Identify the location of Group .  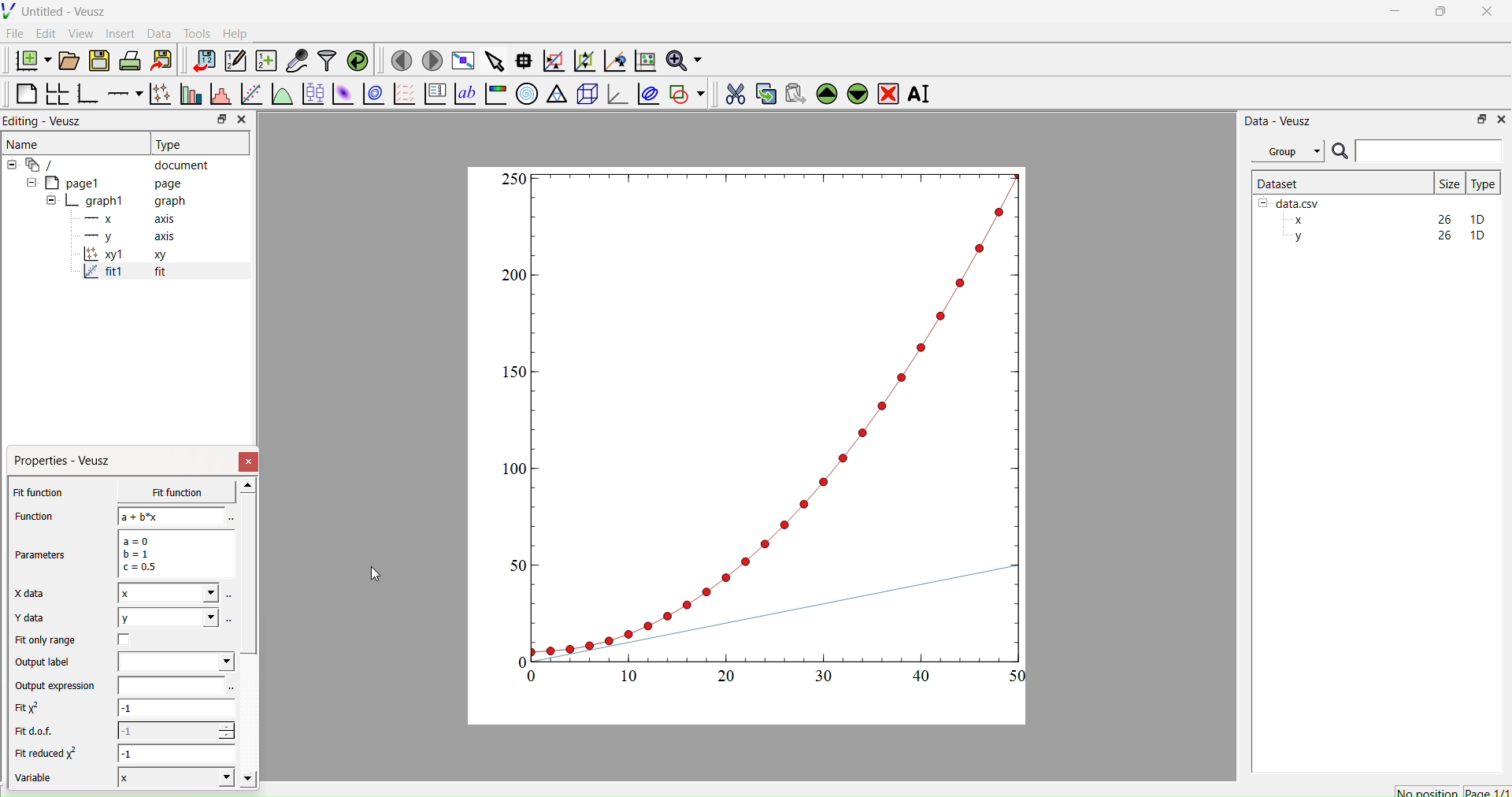
(1287, 151).